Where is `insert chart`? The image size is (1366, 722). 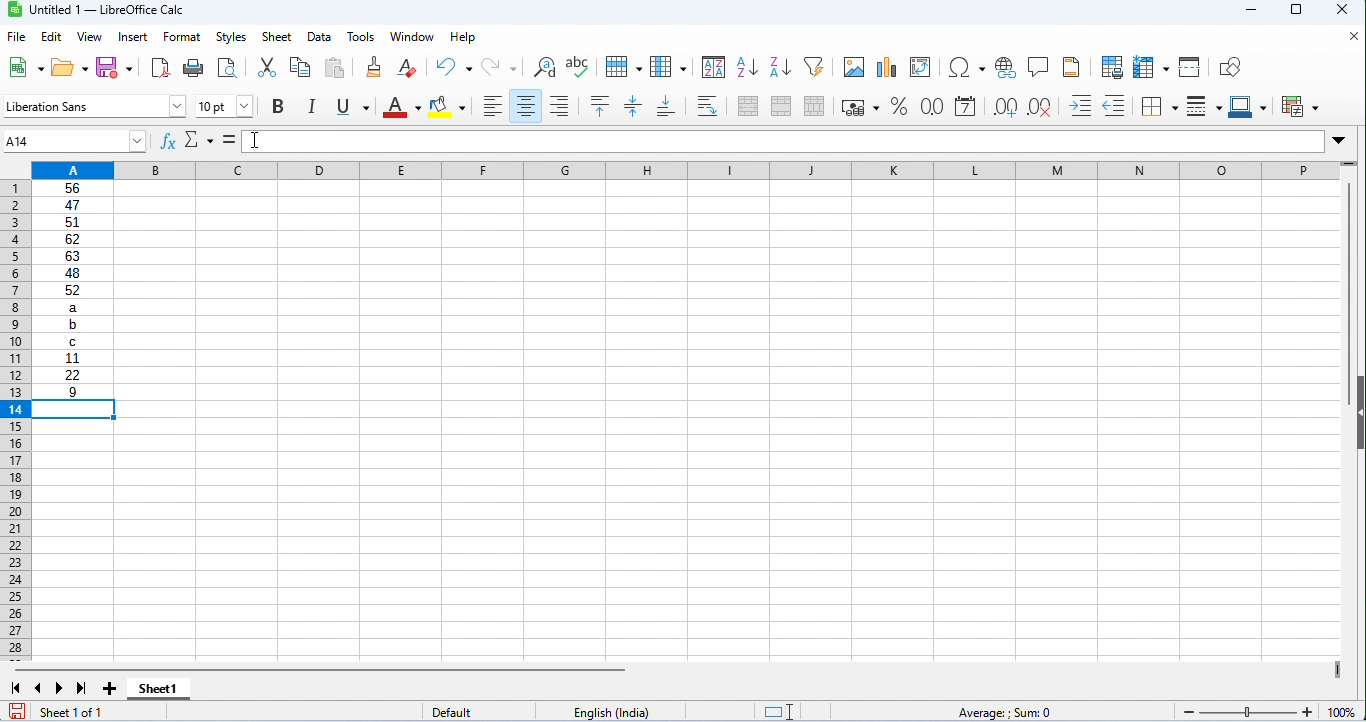
insert chart is located at coordinates (885, 68).